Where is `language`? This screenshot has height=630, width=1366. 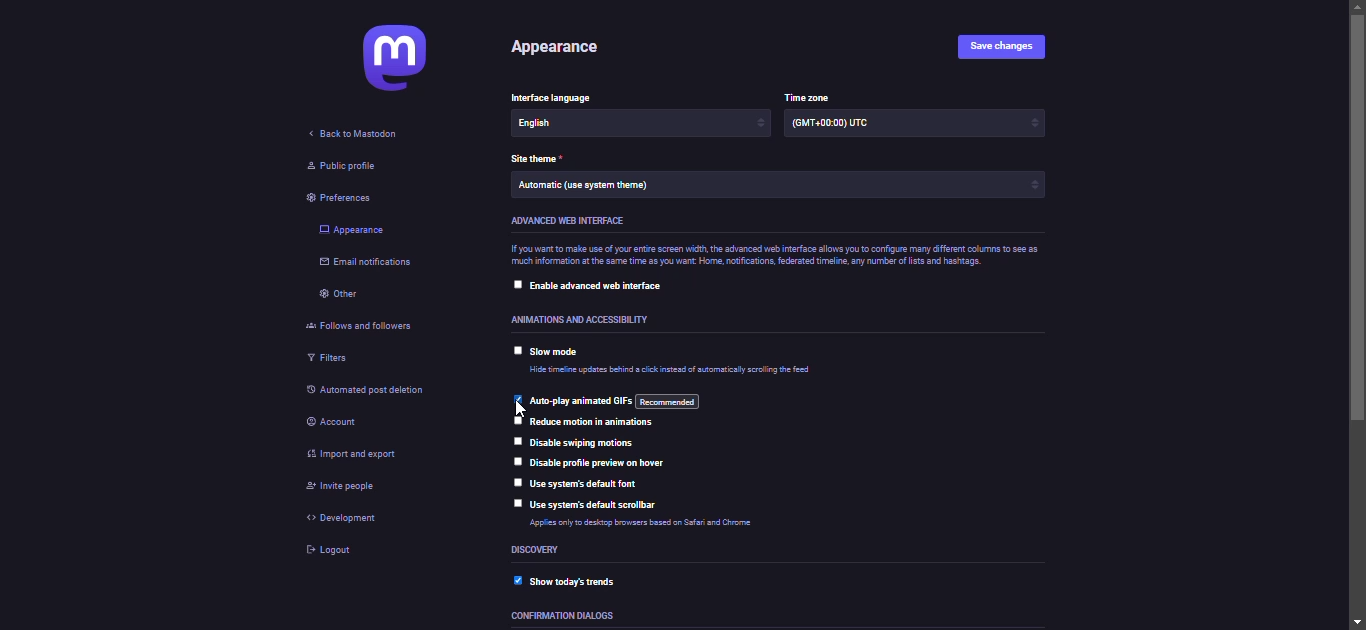 language is located at coordinates (558, 127).